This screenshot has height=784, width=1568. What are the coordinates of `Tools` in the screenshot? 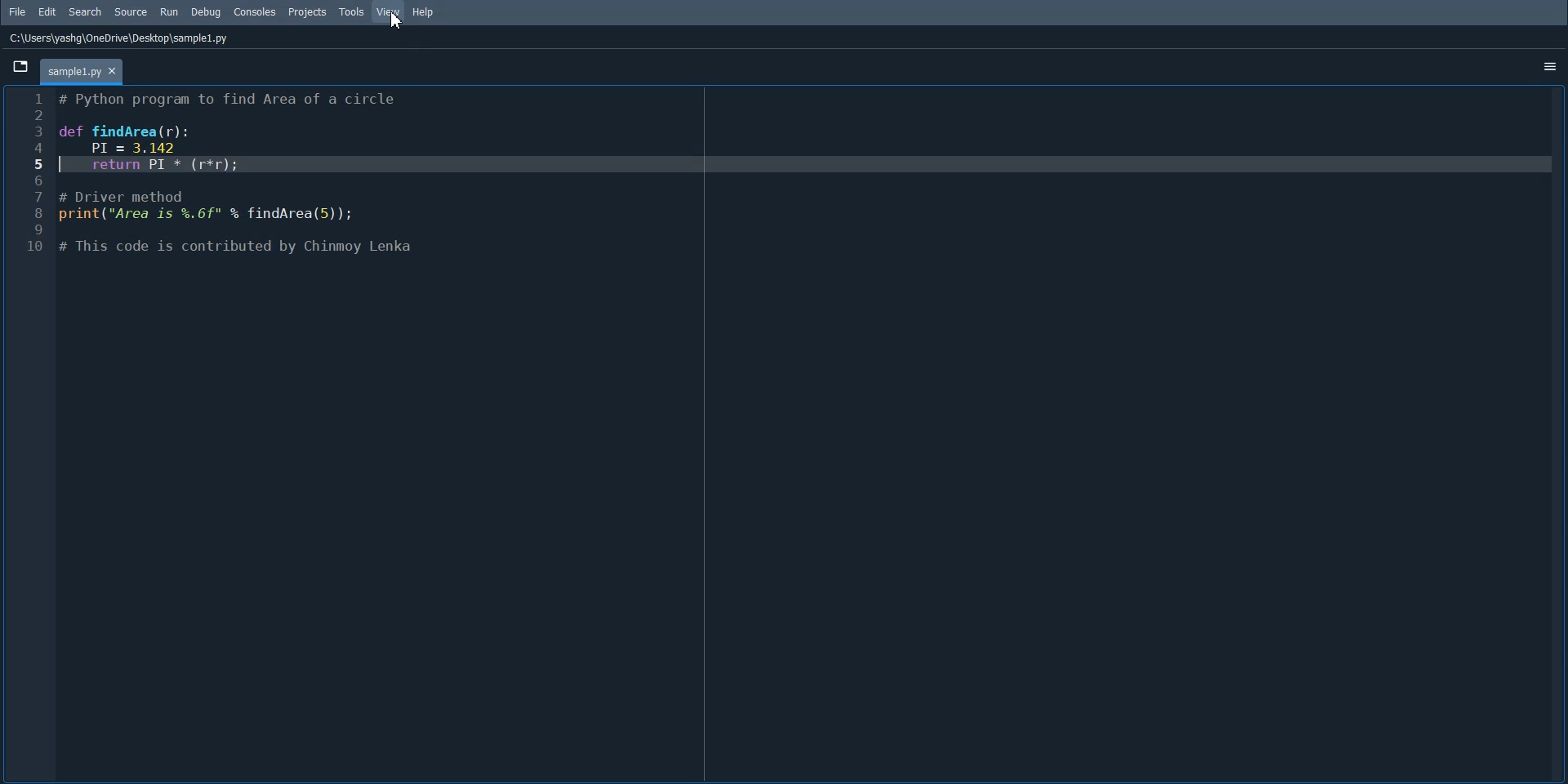 It's located at (353, 12).